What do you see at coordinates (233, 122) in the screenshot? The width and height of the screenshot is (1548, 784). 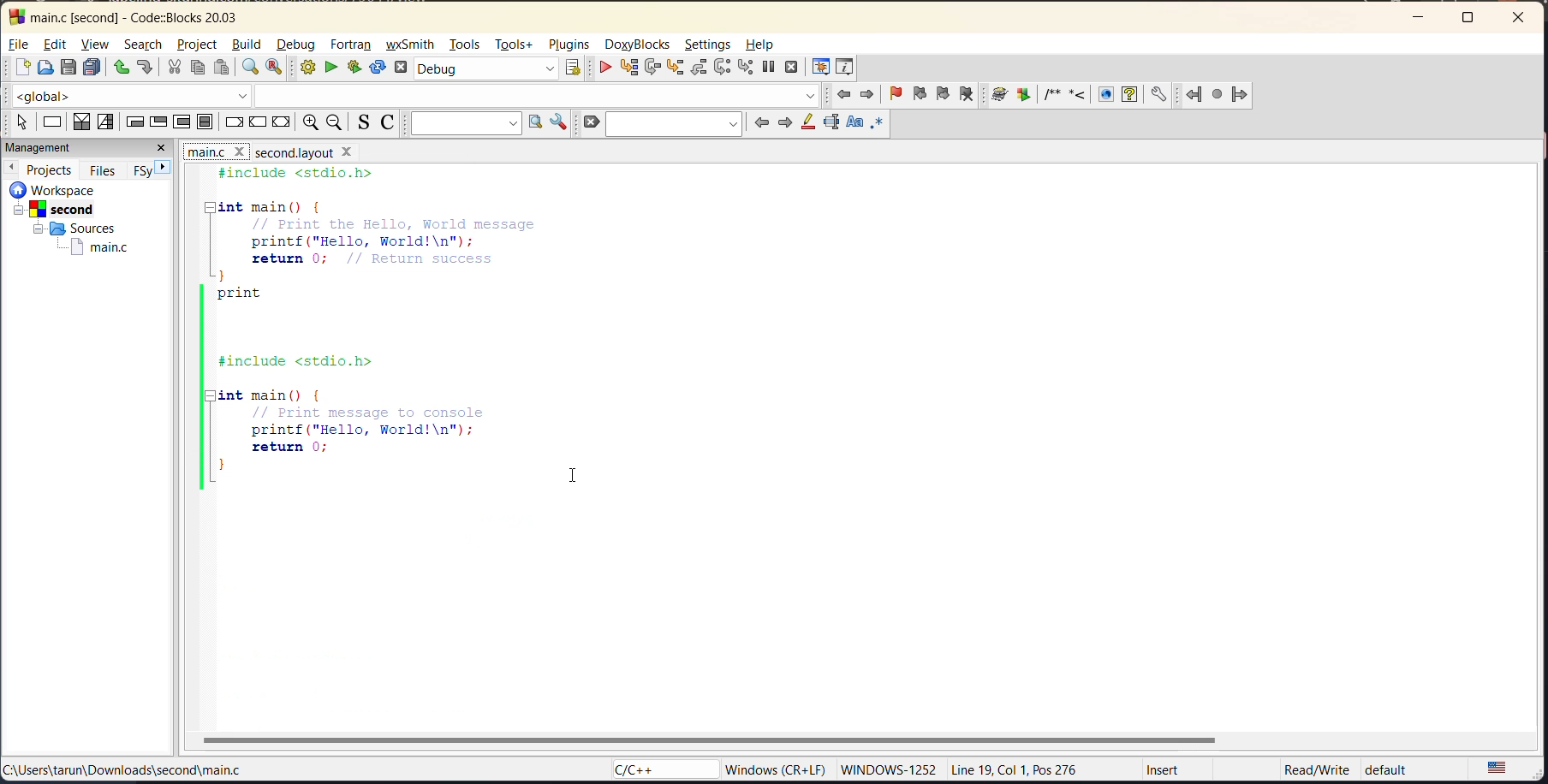 I see `break instruction` at bounding box center [233, 122].